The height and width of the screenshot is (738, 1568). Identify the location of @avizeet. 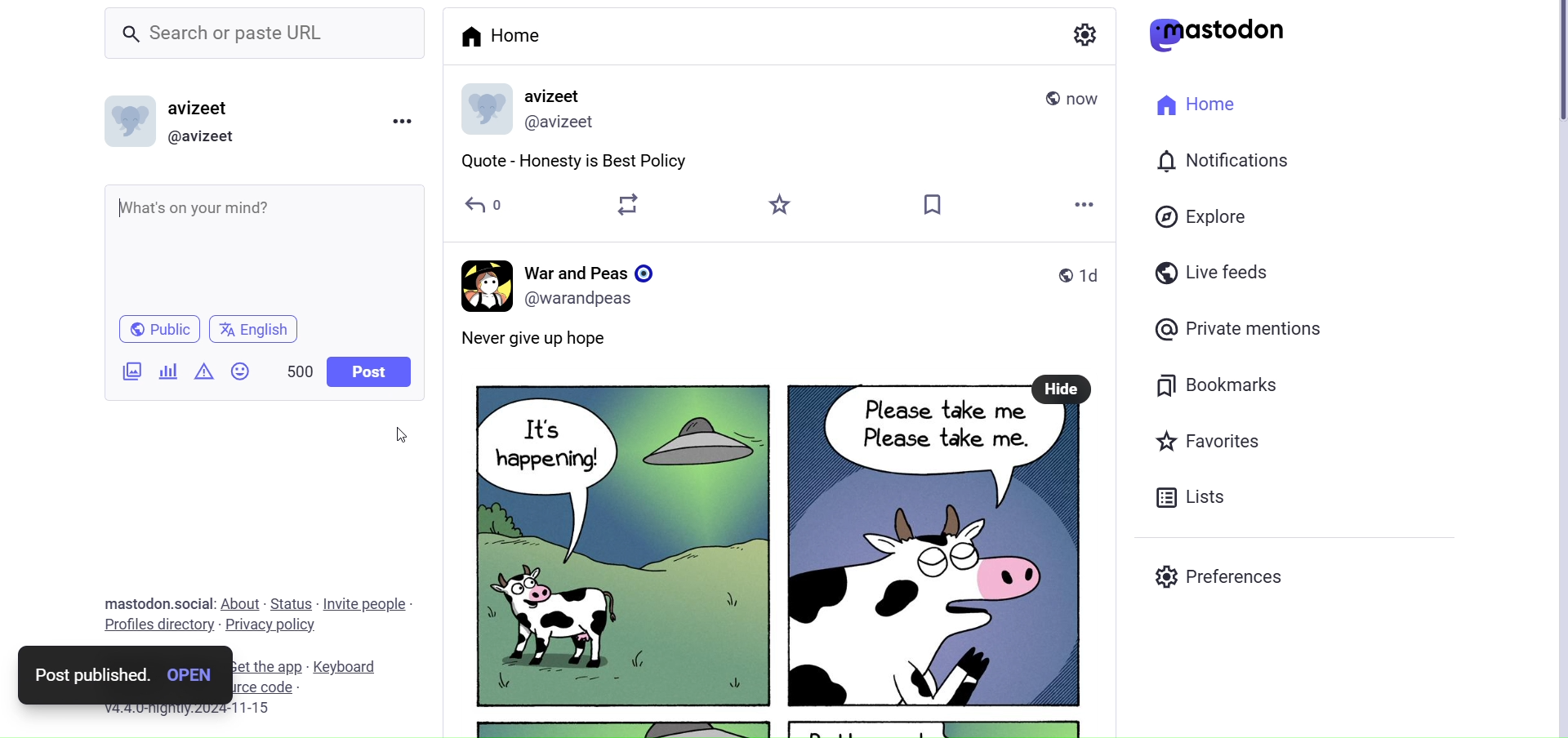
(568, 123).